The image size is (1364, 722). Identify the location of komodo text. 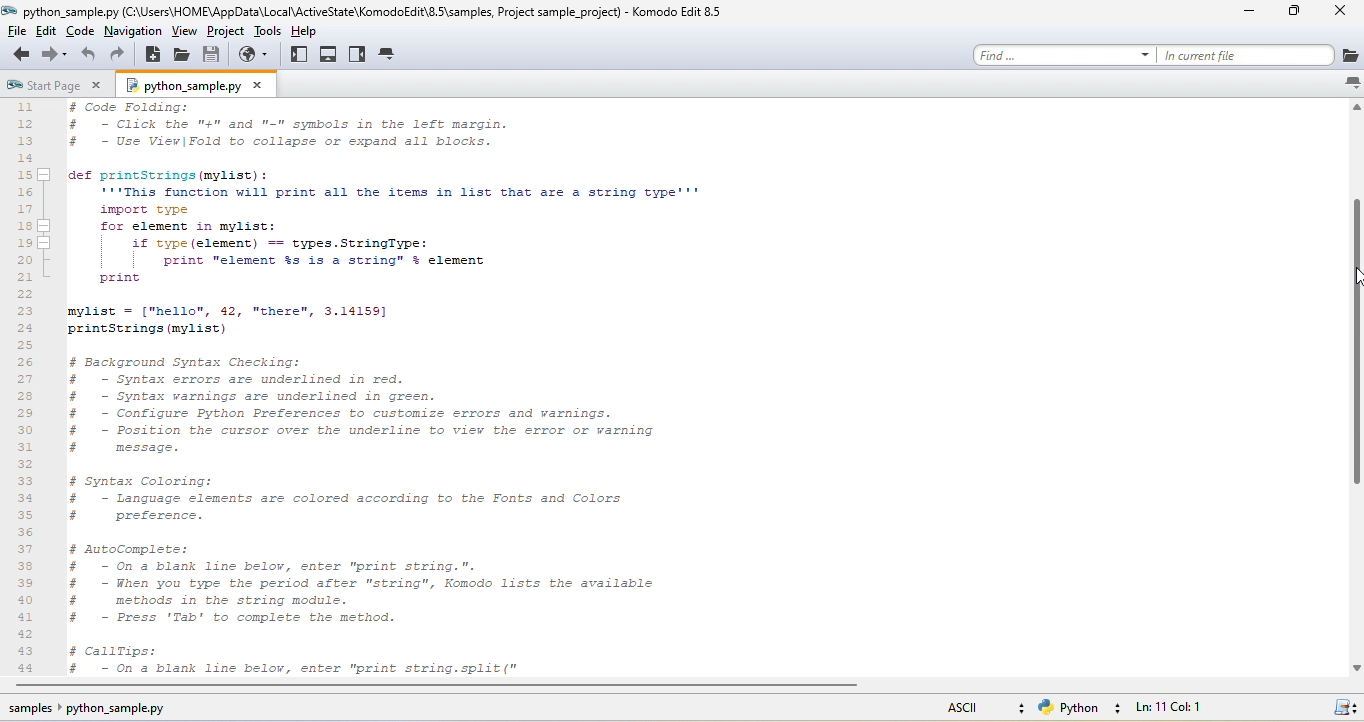
(359, 388).